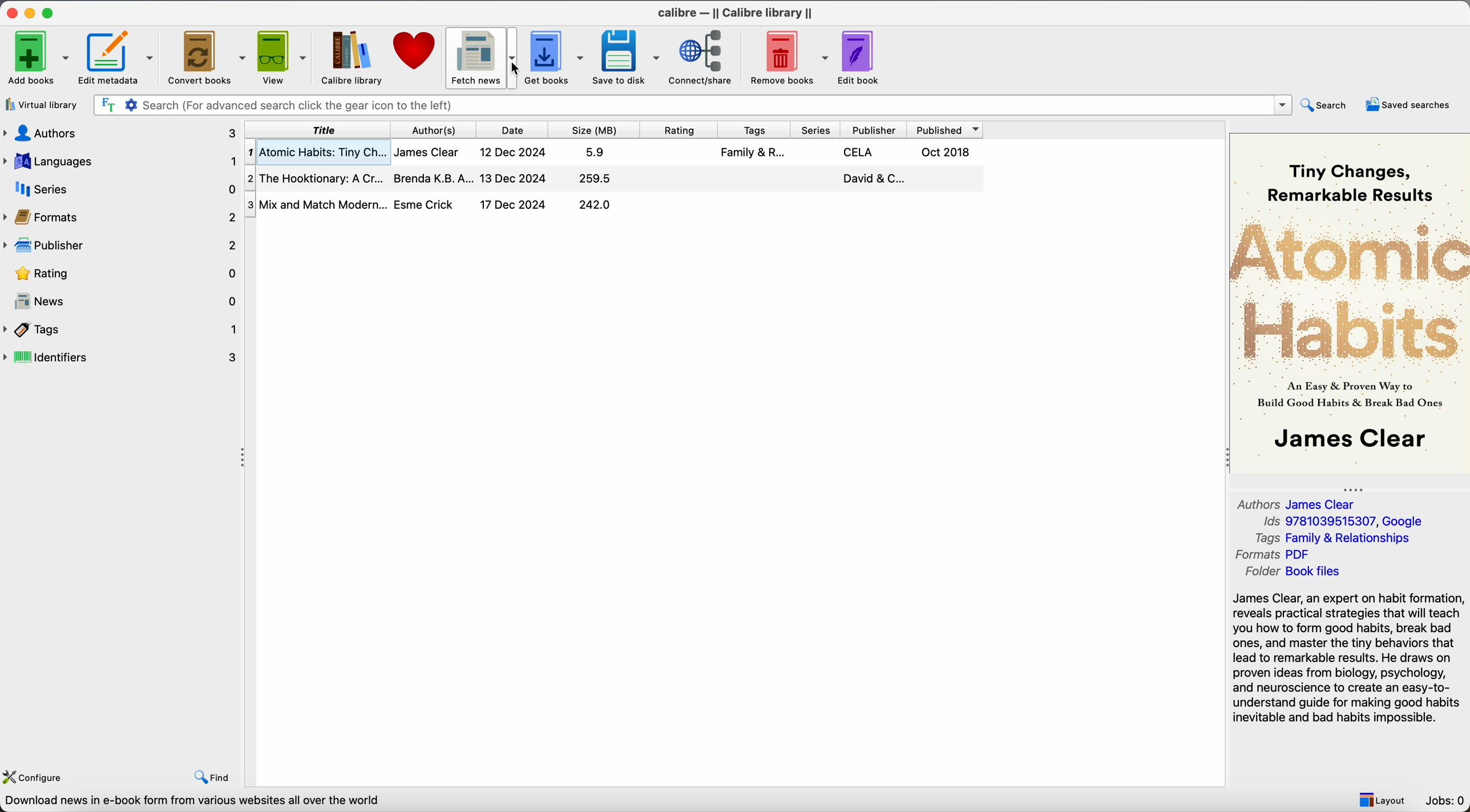  What do you see at coordinates (788, 56) in the screenshot?
I see `remove books` at bounding box center [788, 56].